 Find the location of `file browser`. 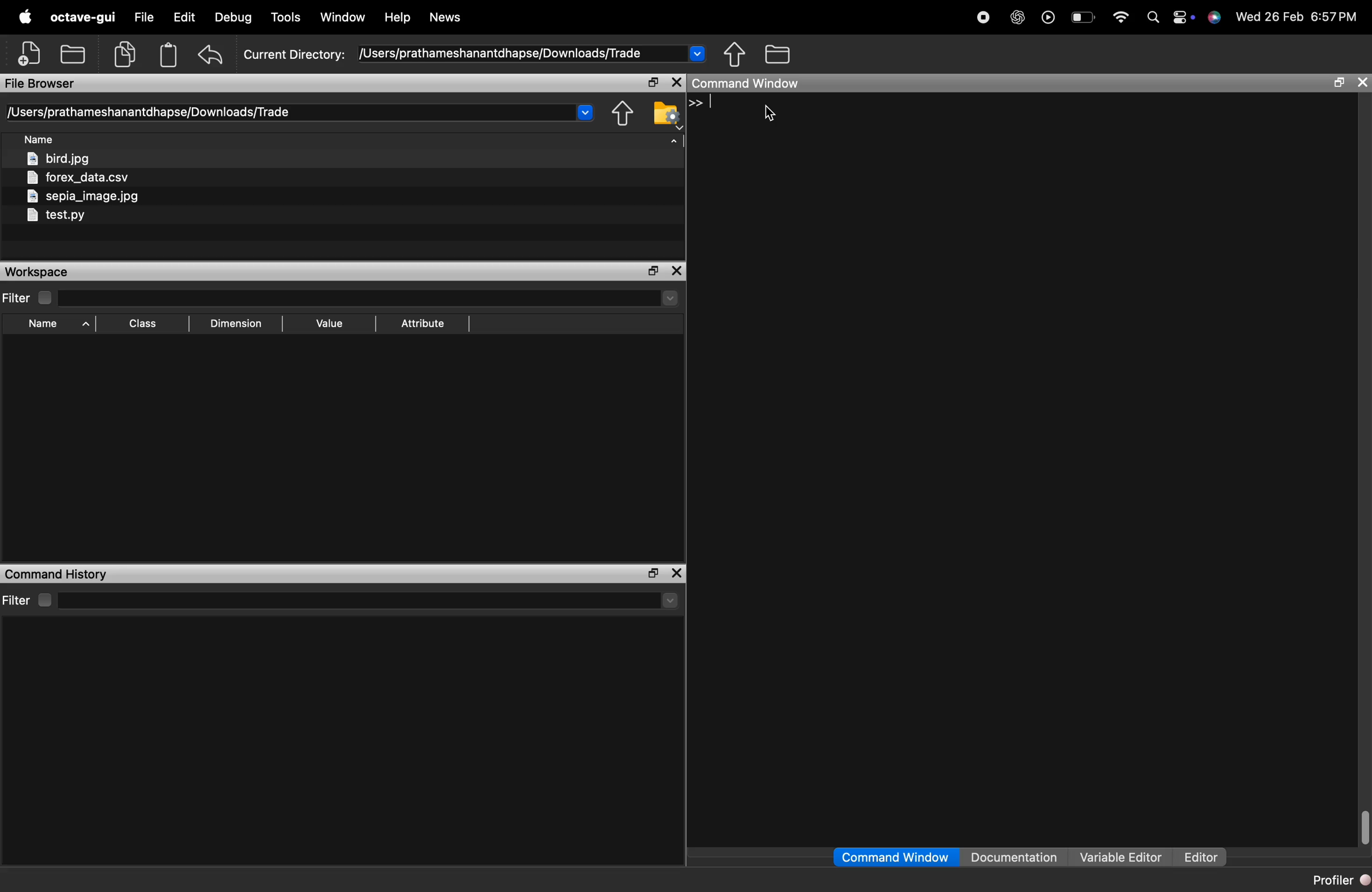

file browser is located at coordinates (43, 84).